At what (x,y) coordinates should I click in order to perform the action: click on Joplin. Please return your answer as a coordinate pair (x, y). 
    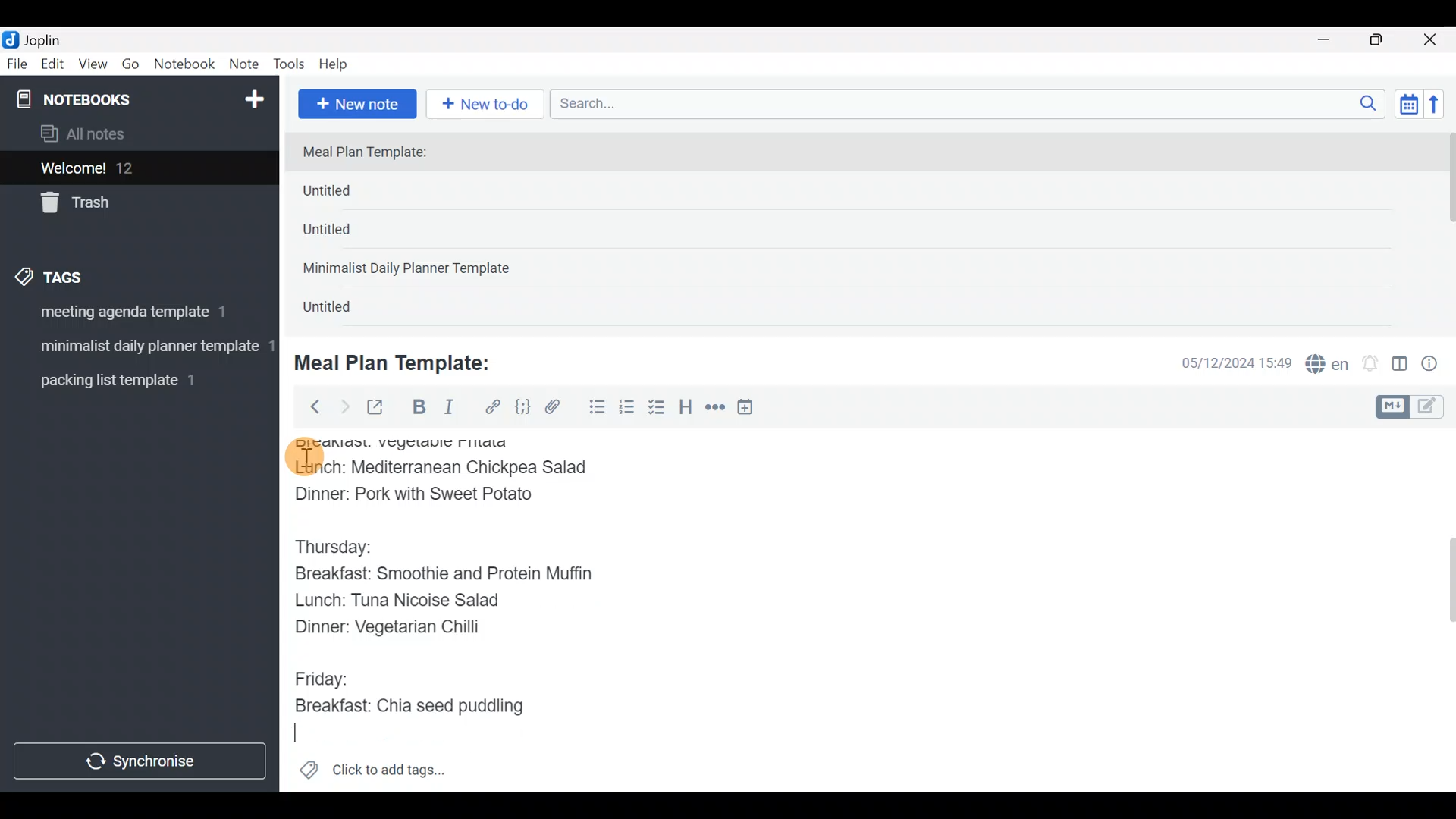
    Looking at the image, I should click on (52, 38).